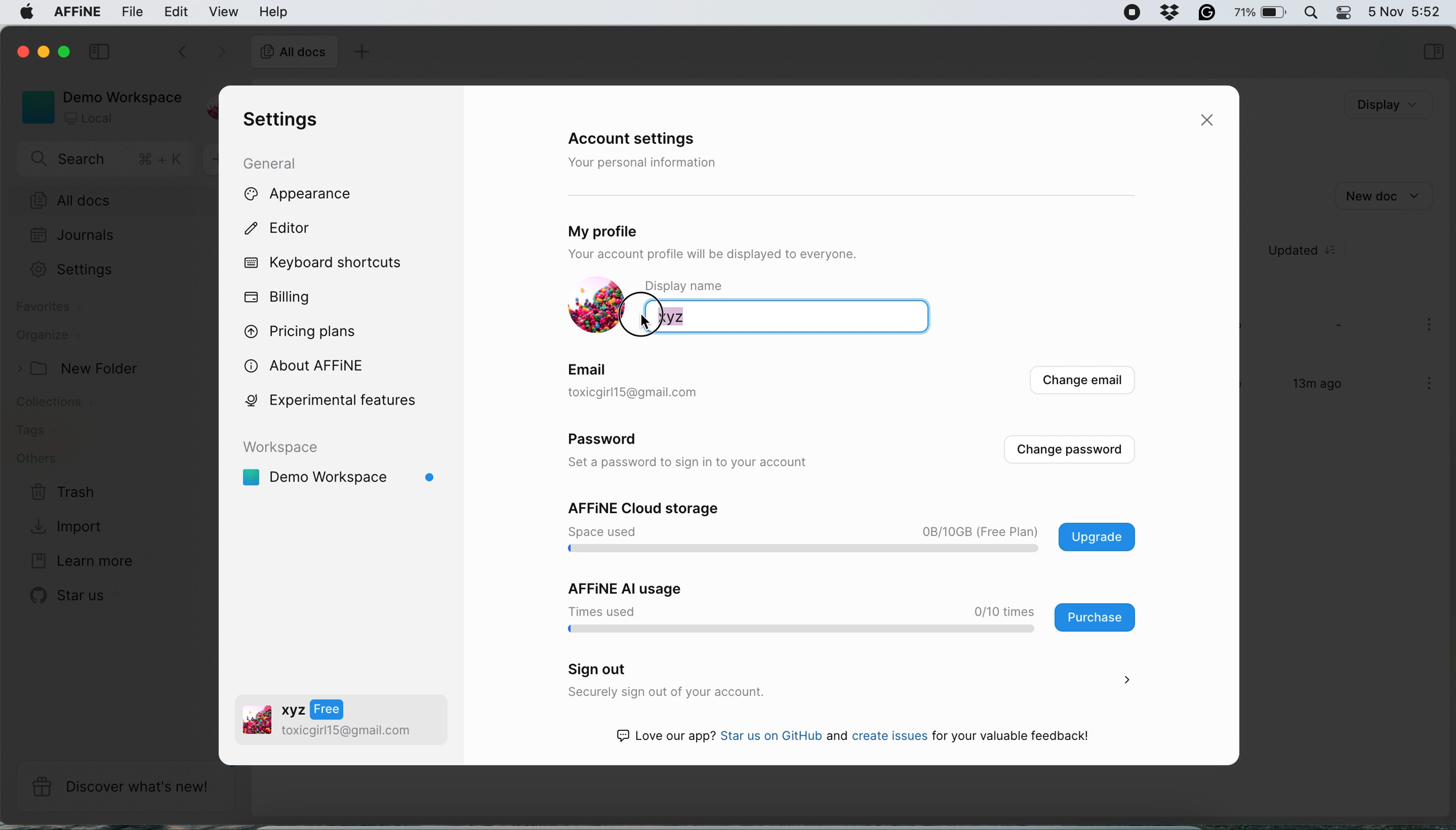  What do you see at coordinates (845, 607) in the screenshot?
I see `affine ai usage` at bounding box center [845, 607].